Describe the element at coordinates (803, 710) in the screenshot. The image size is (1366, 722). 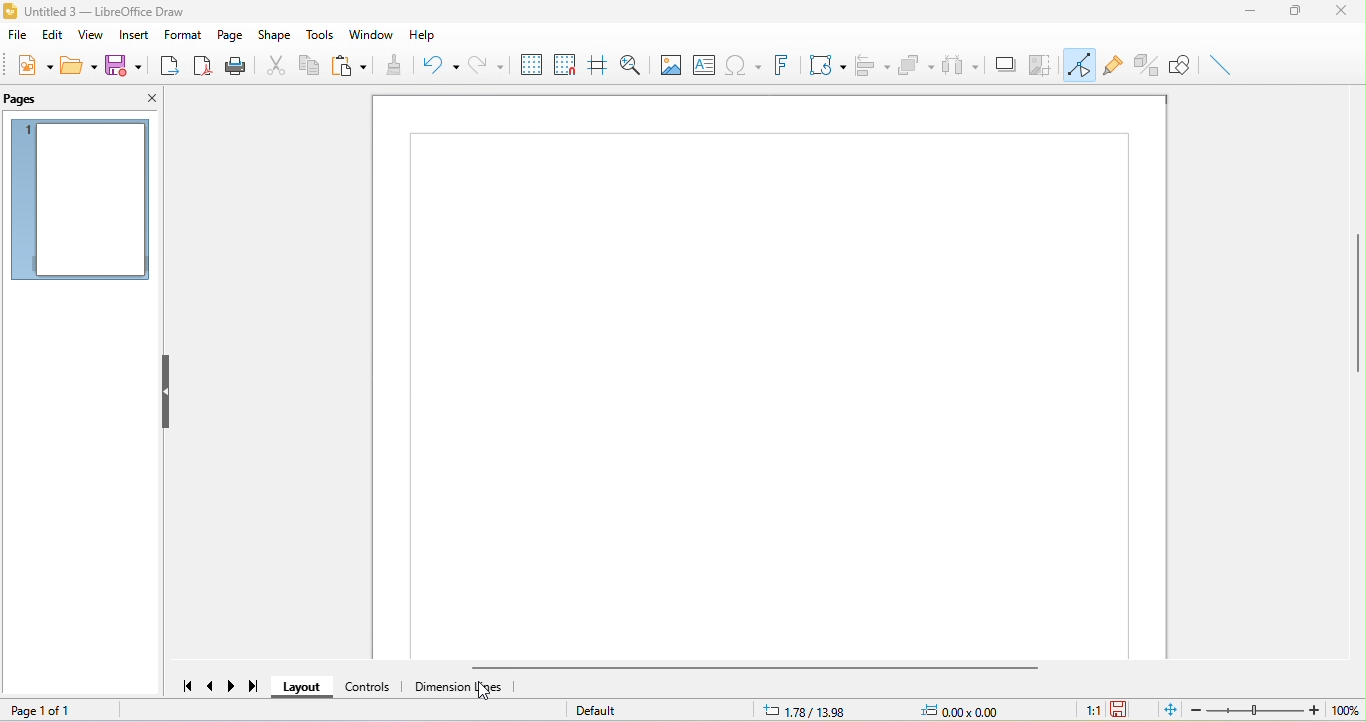
I see `1.78/13.98` at that location.